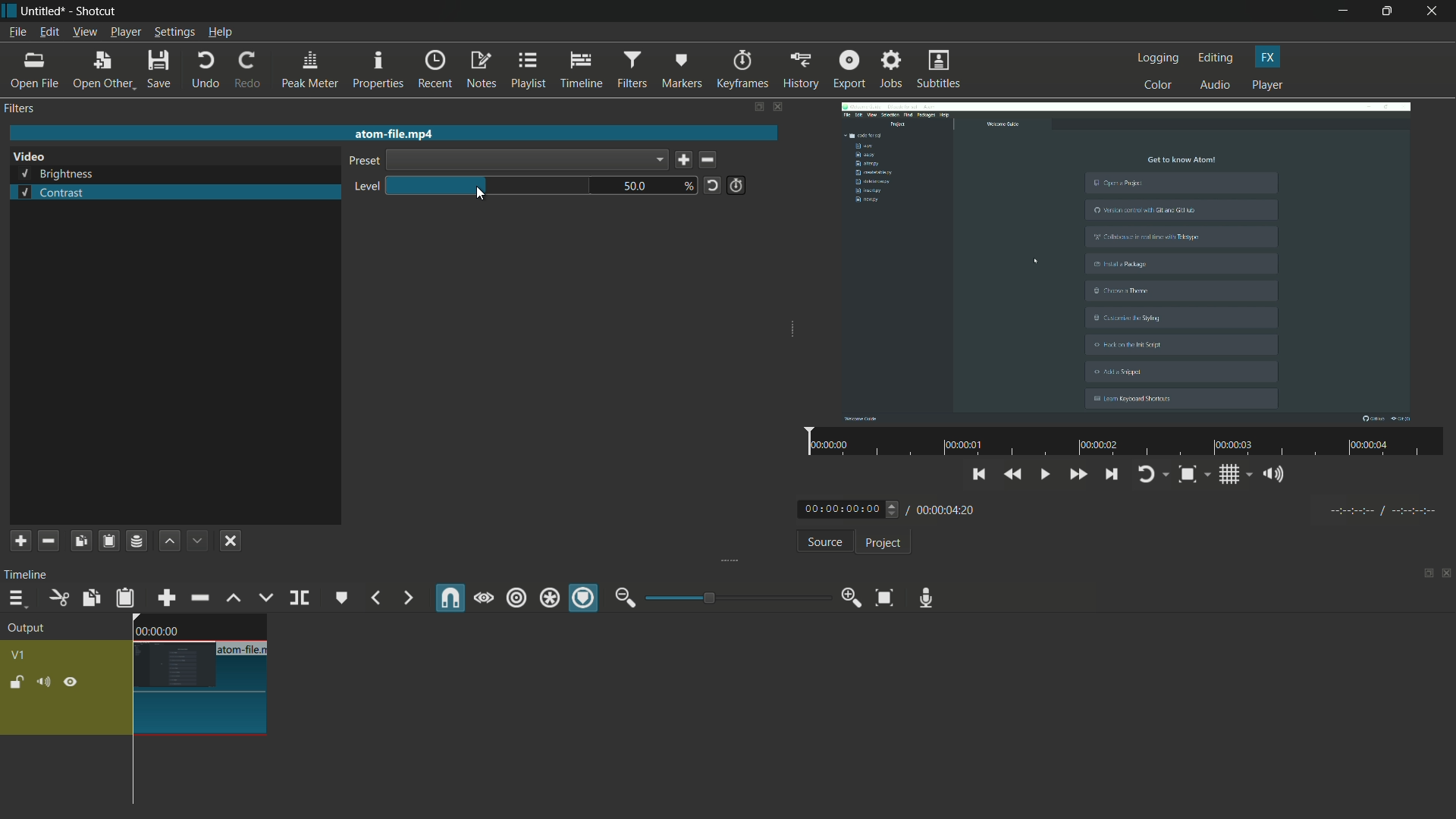 Image resolution: width=1456 pixels, height=819 pixels. Describe the element at coordinates (161, 71) in the screenshot. I see `save` at that location.